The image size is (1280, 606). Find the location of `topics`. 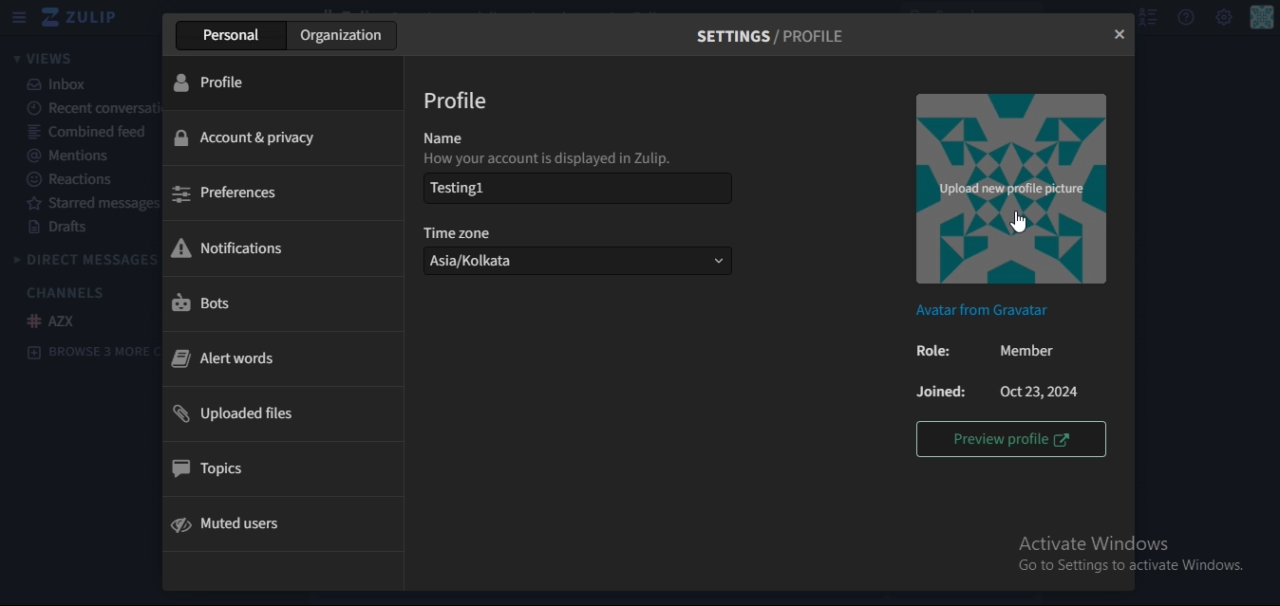

topics is located at coordinates (218, 469).